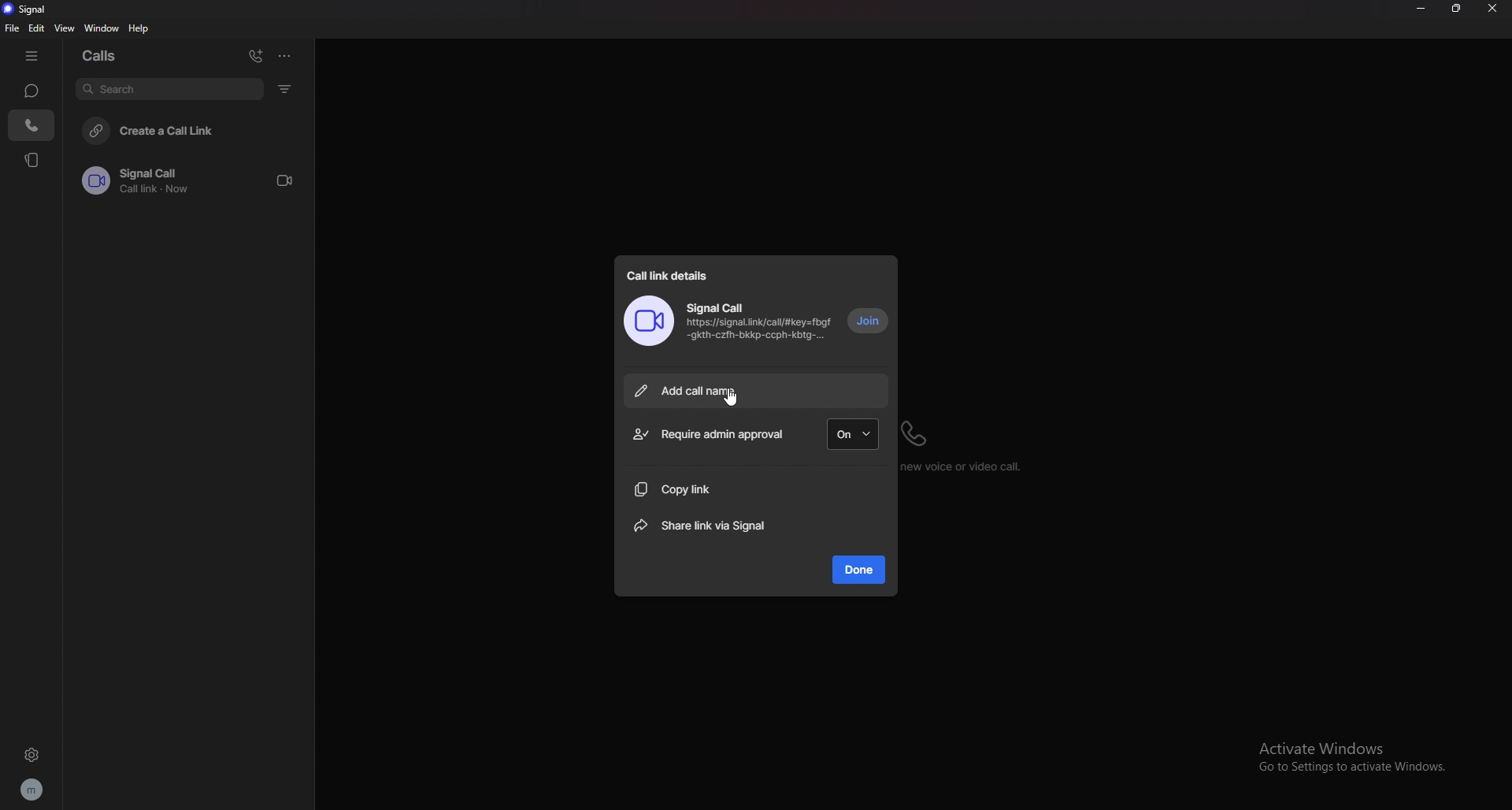  What do you see at coordinates (649, 321) in the screenshot?
I see `call image` at bounding box center [649, 321].